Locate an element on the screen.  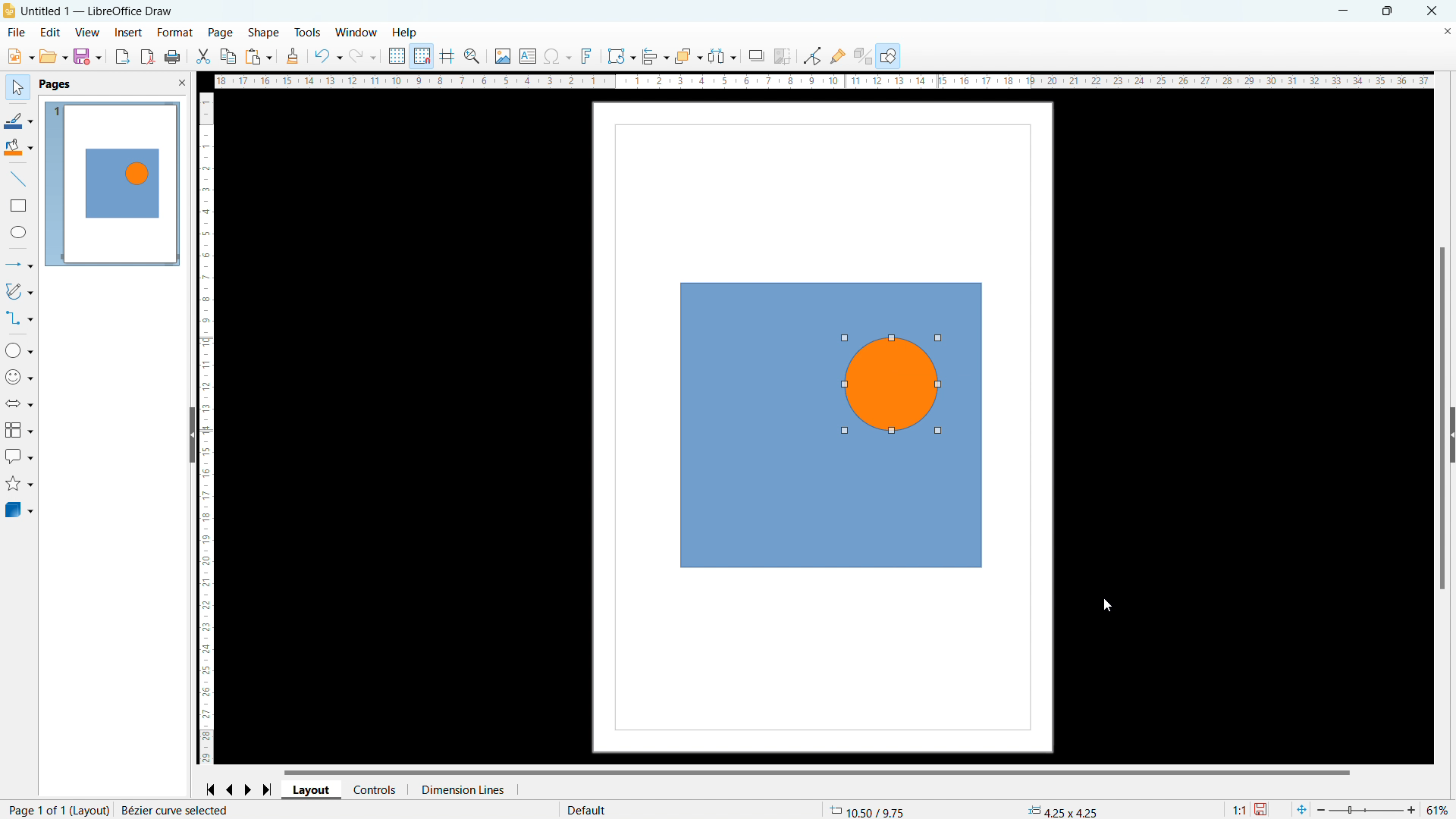
basic shapes is located at coordinates (19, 350).